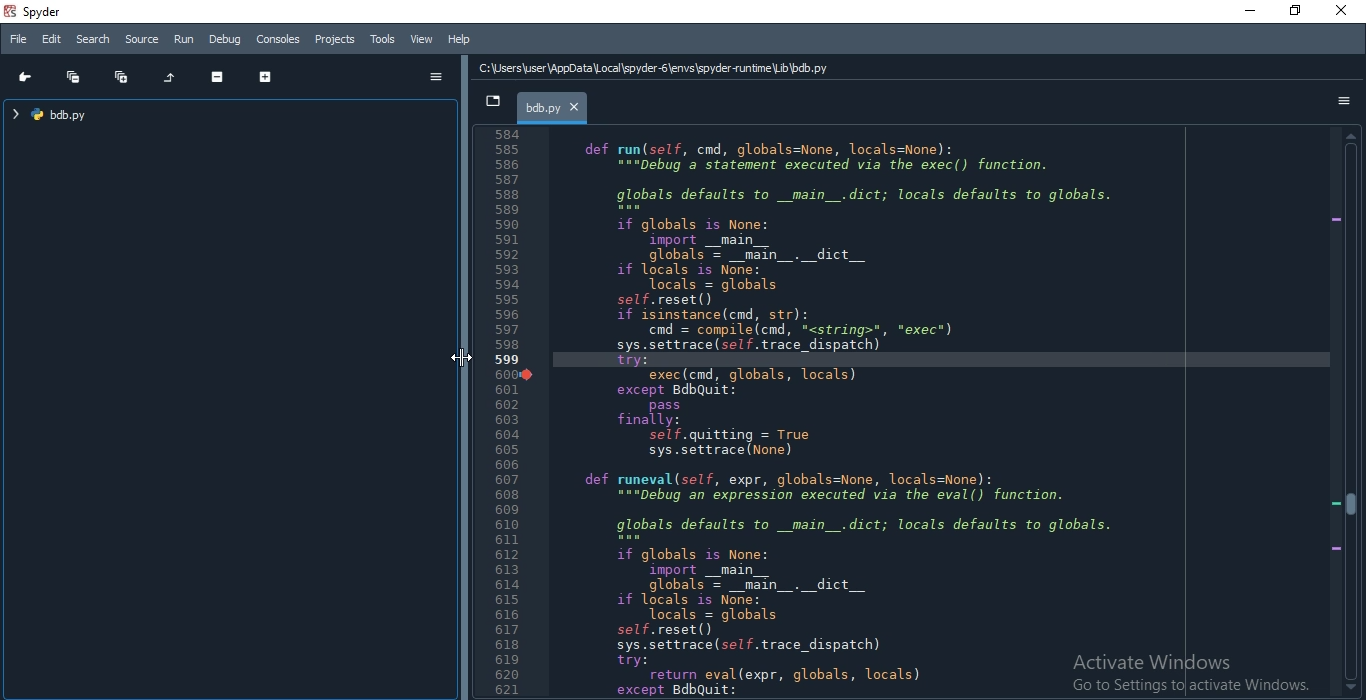 The width and height of the screenshot is (1366, 700). Describe the element at coordinates (552, 107) in the screenshot. I see `bdb.py` at that location.